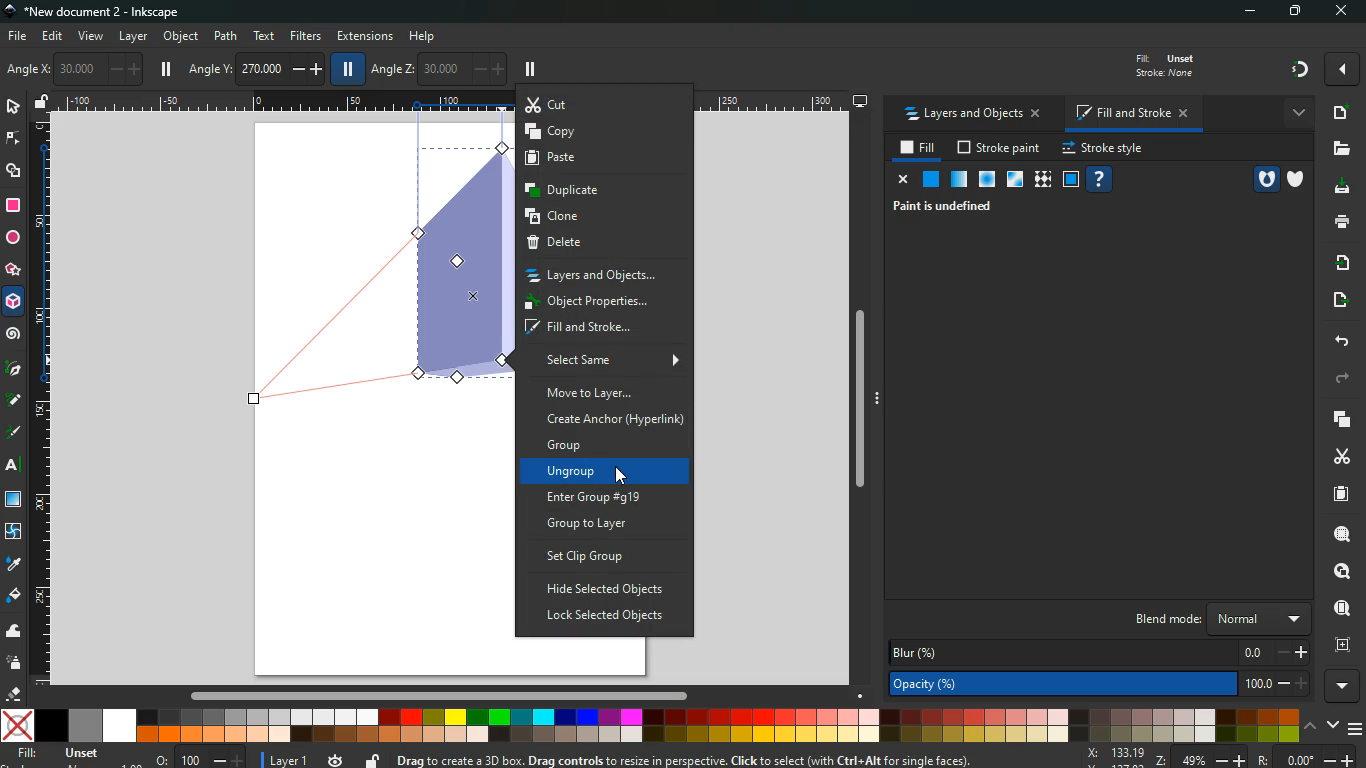  Describe the element at coordinates (1042, 182) in the screenshot. I see `texture` at that location.